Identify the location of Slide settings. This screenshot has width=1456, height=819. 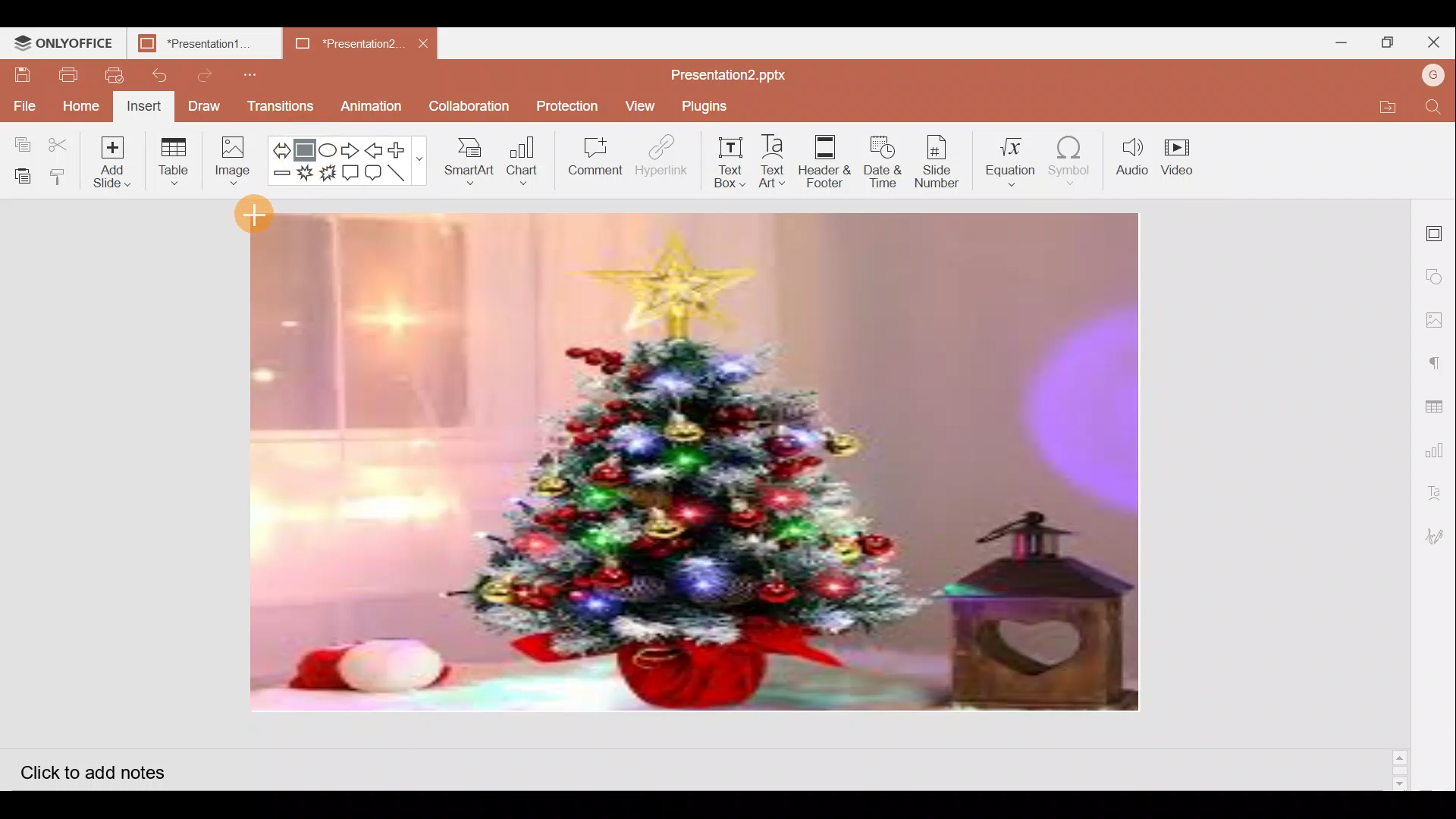
(1437, 229).